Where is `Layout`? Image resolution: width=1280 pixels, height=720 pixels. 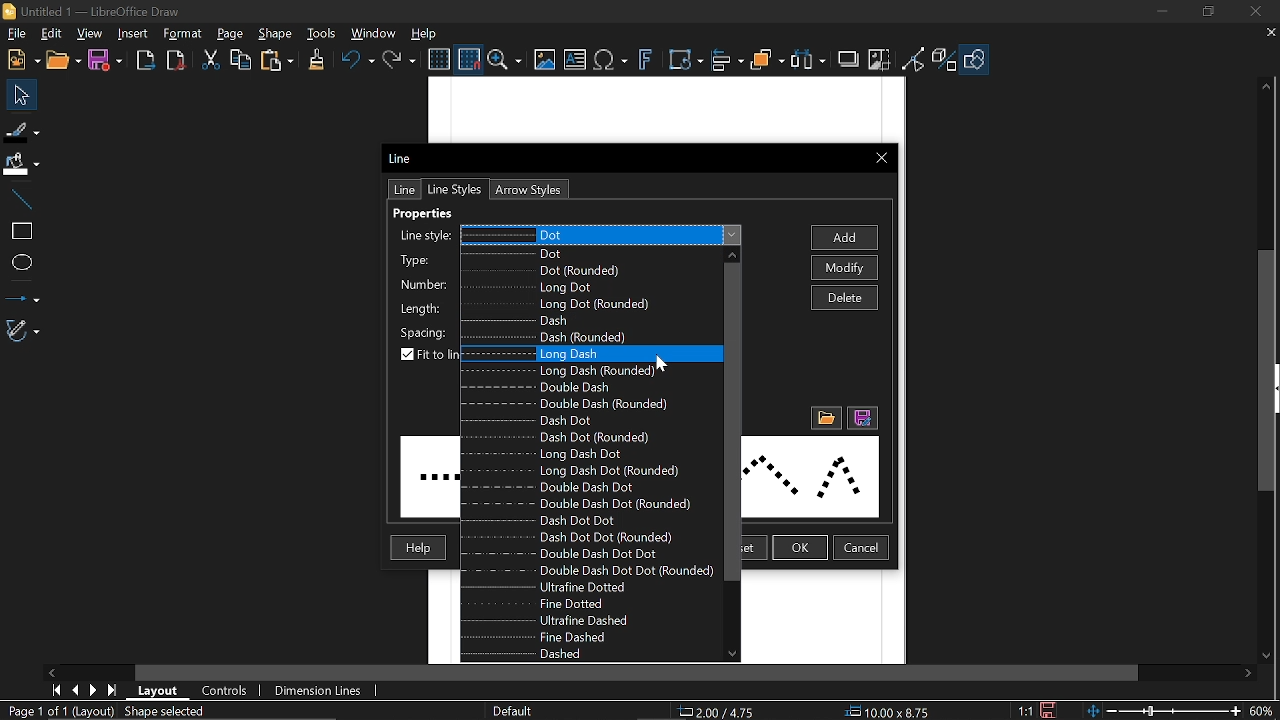
Layout is located at coordinates (162, 691).